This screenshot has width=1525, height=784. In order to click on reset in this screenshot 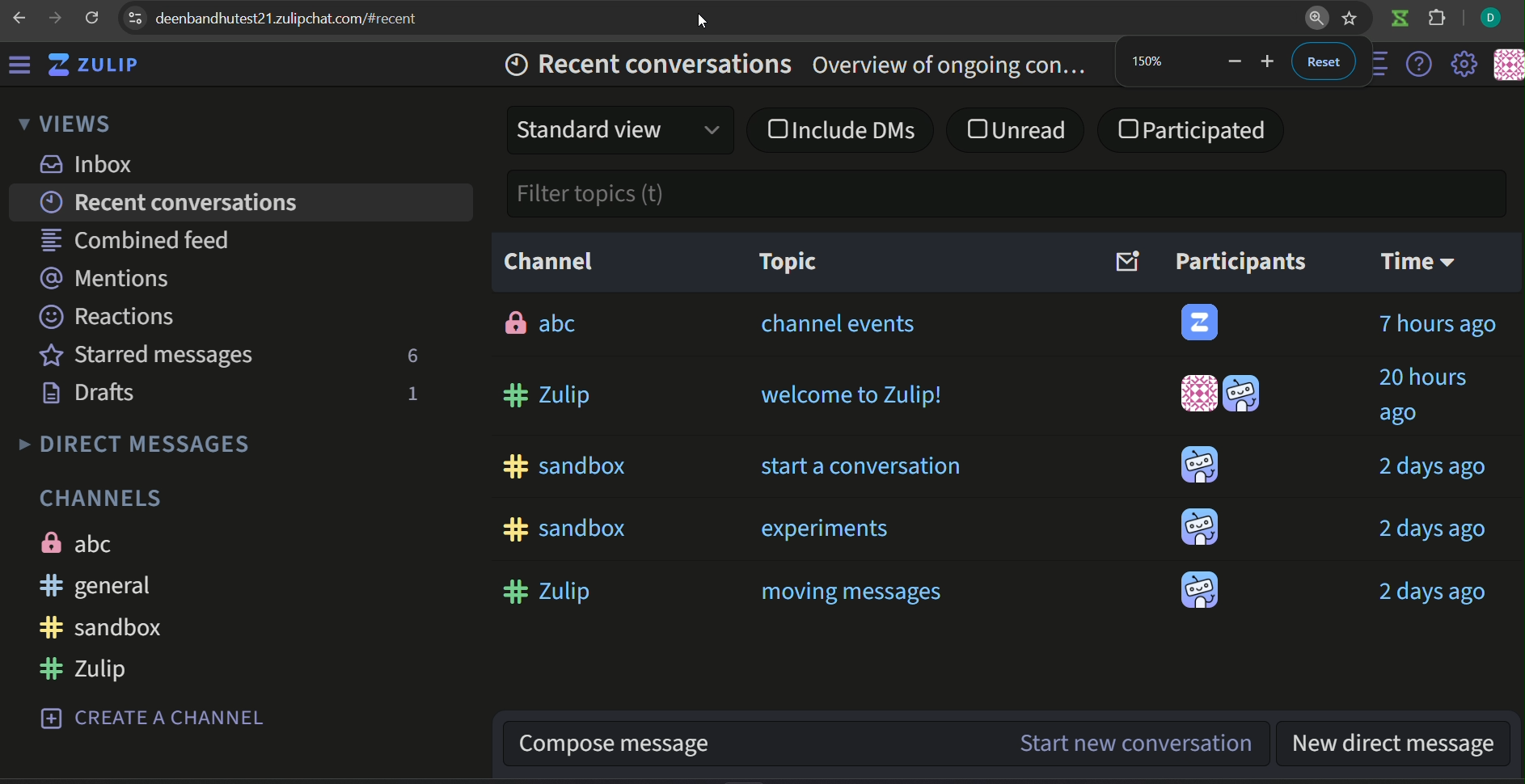, I will do `click(1324, 62)`.